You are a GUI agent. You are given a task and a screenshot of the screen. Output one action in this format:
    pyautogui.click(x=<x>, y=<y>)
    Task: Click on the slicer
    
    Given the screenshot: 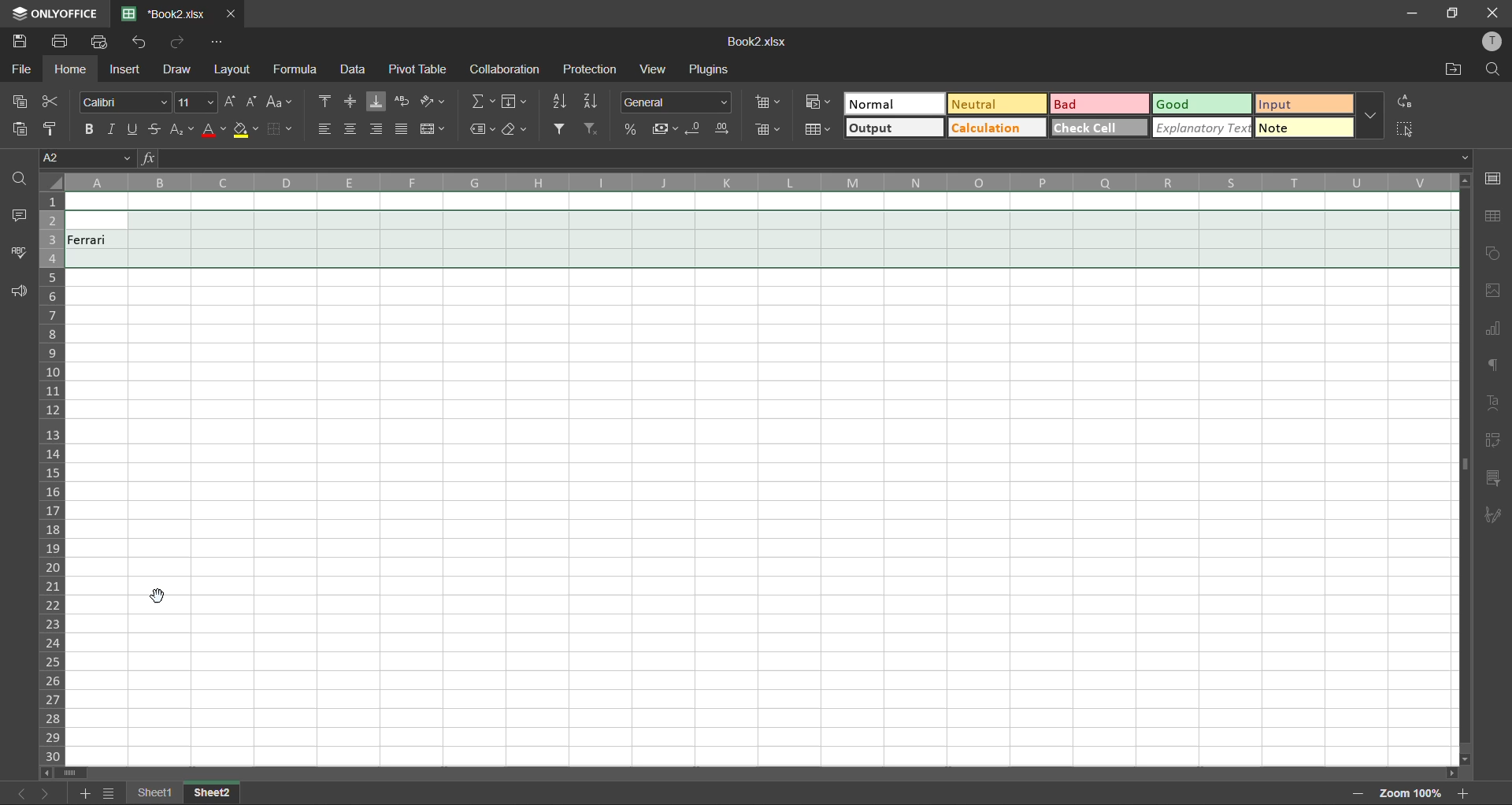 What is the action you would take?
    pyautogui.click(x=1493, y=478)
    